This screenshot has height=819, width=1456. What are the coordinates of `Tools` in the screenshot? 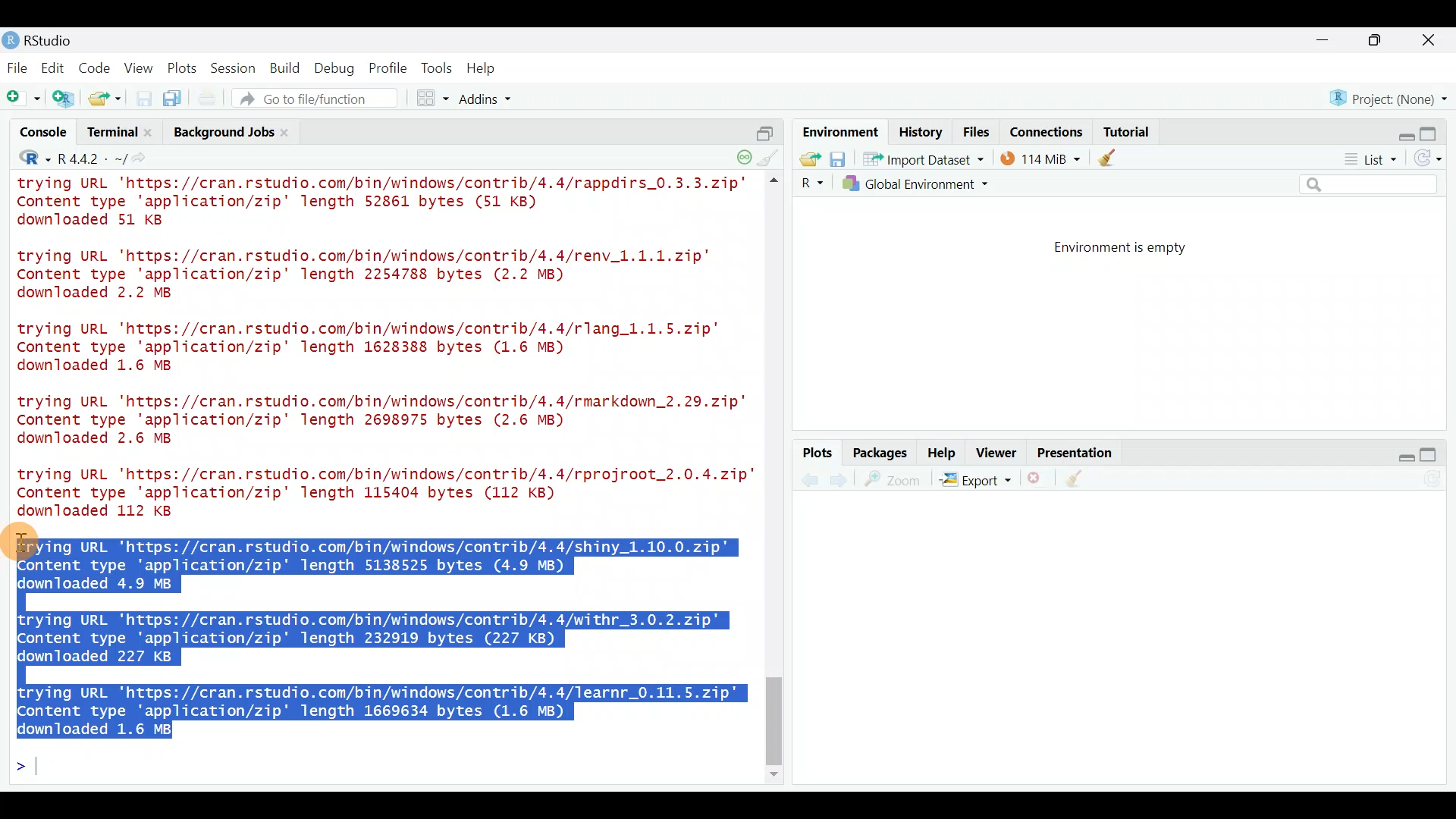 It's located at (438, 67).